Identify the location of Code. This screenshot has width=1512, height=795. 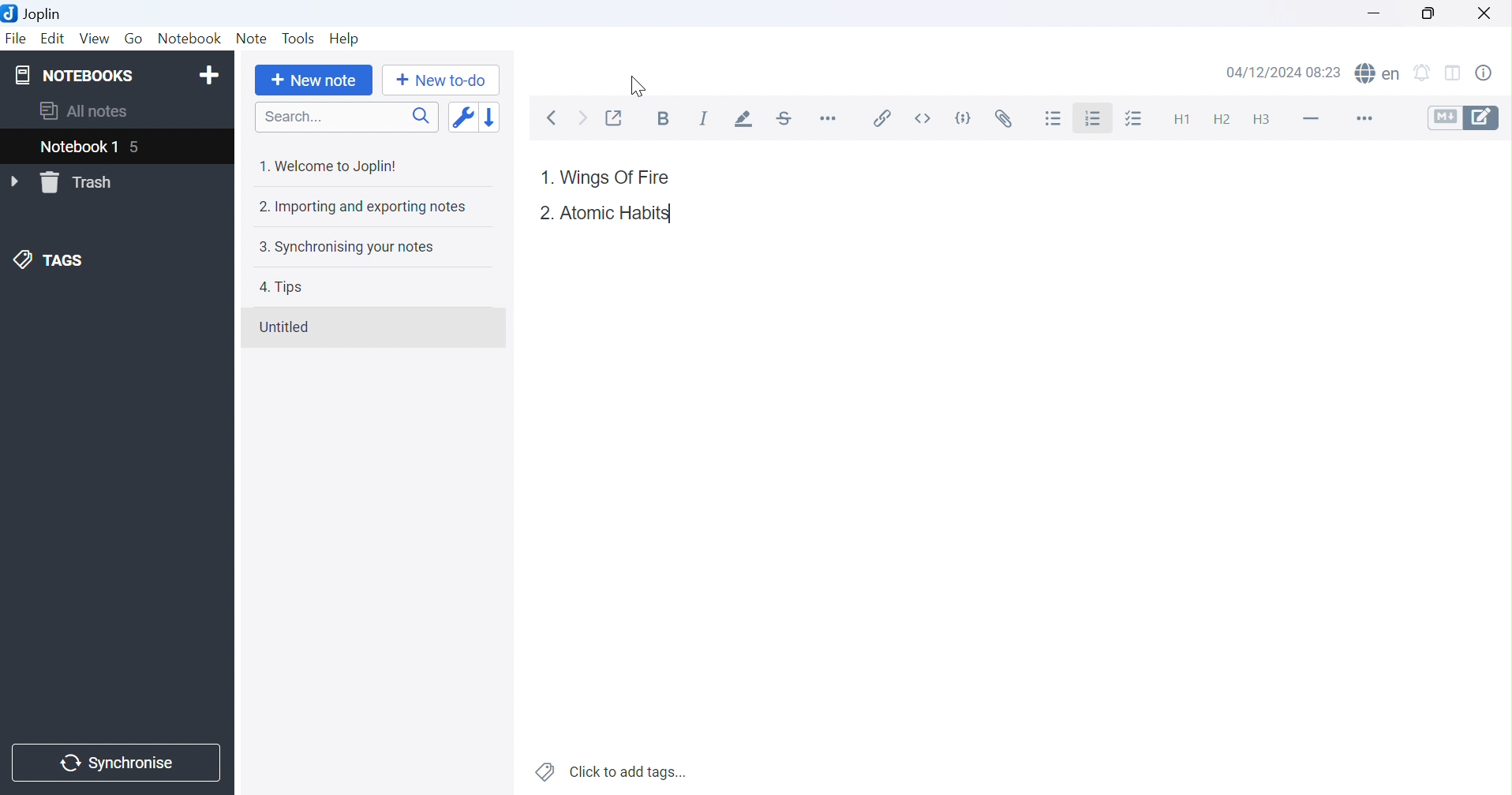
(963, 121).